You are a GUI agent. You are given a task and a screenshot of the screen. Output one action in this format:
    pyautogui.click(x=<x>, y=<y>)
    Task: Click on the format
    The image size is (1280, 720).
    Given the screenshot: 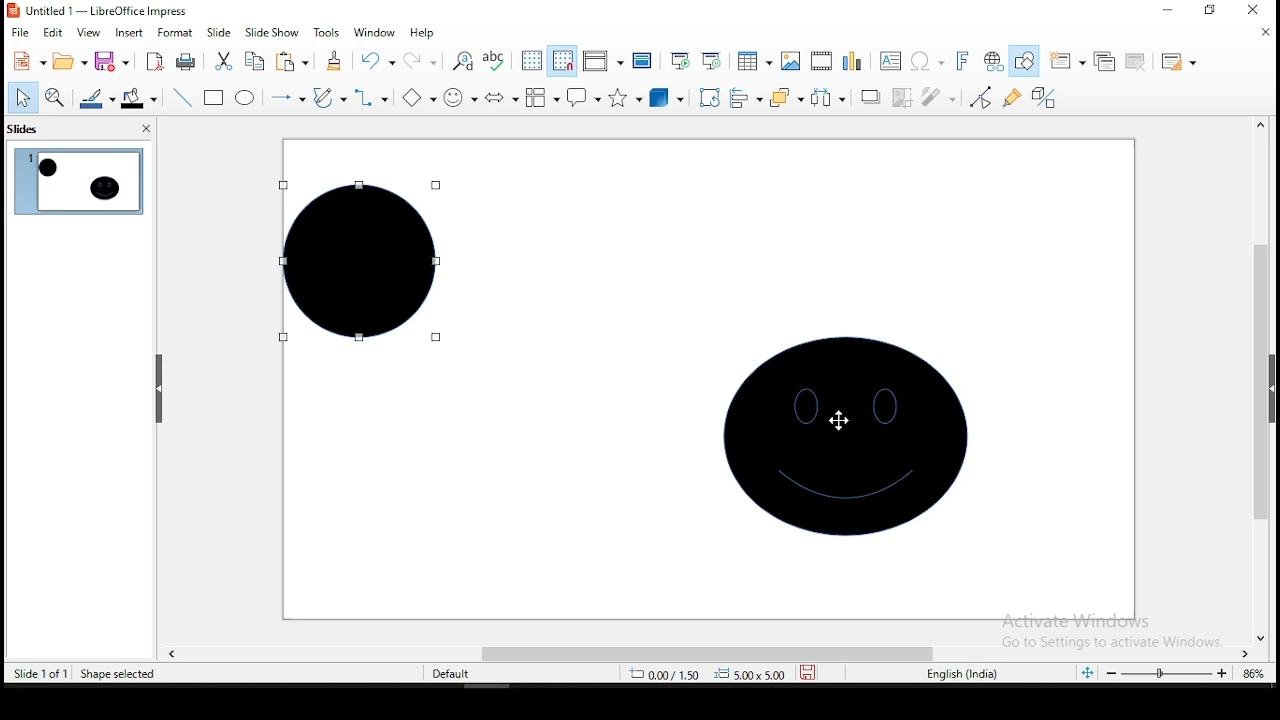 What is the action you would take?
    pyautogui.click(x=176, y=33)
    